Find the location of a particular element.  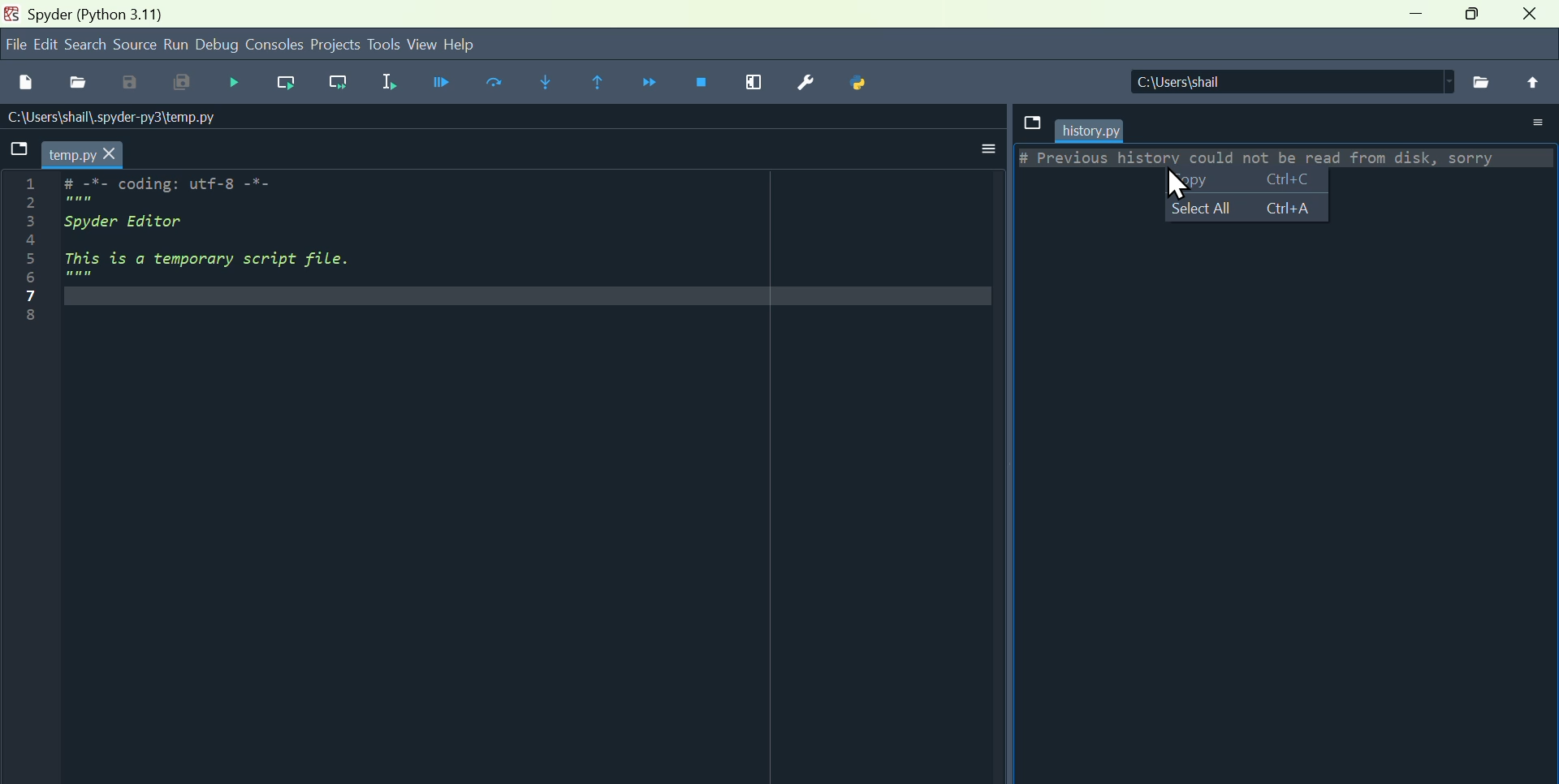

Run selection is located at coordinates (399, 84).